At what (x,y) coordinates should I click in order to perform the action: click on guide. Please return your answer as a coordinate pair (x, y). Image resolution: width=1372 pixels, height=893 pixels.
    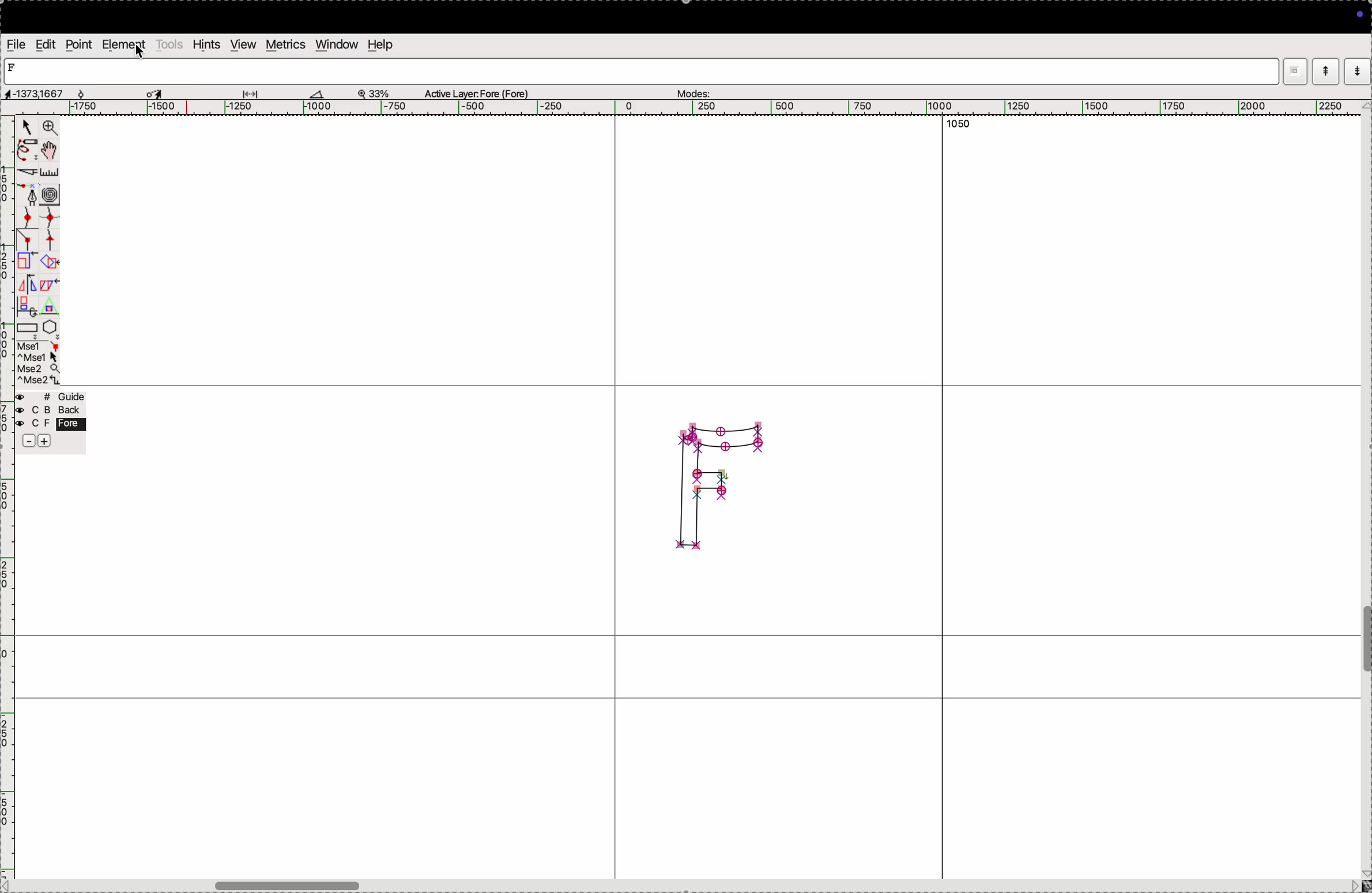
    Looking at the image, I should click on (49, 397).